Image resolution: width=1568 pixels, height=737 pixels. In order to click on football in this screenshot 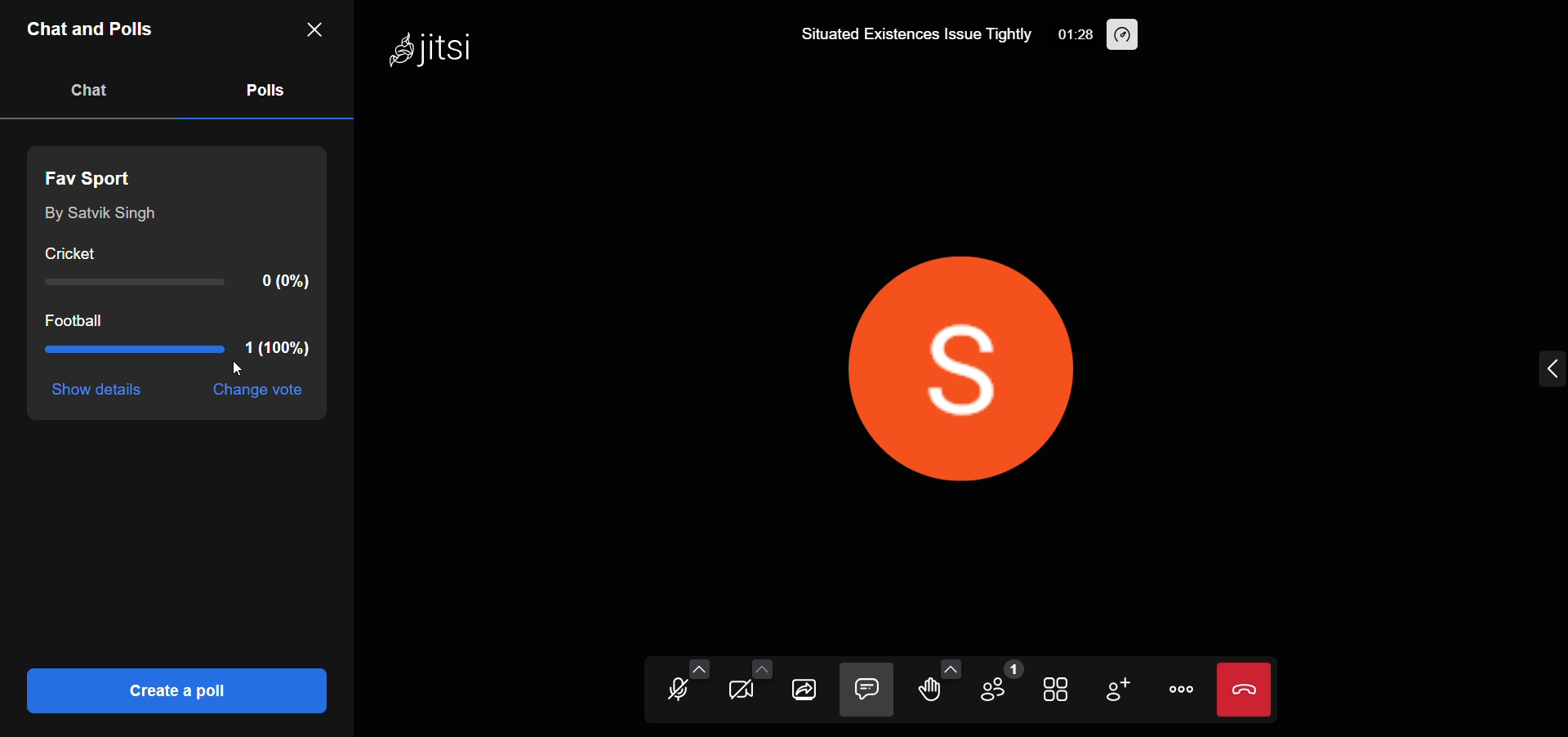, I will do `click(99, 319)`.